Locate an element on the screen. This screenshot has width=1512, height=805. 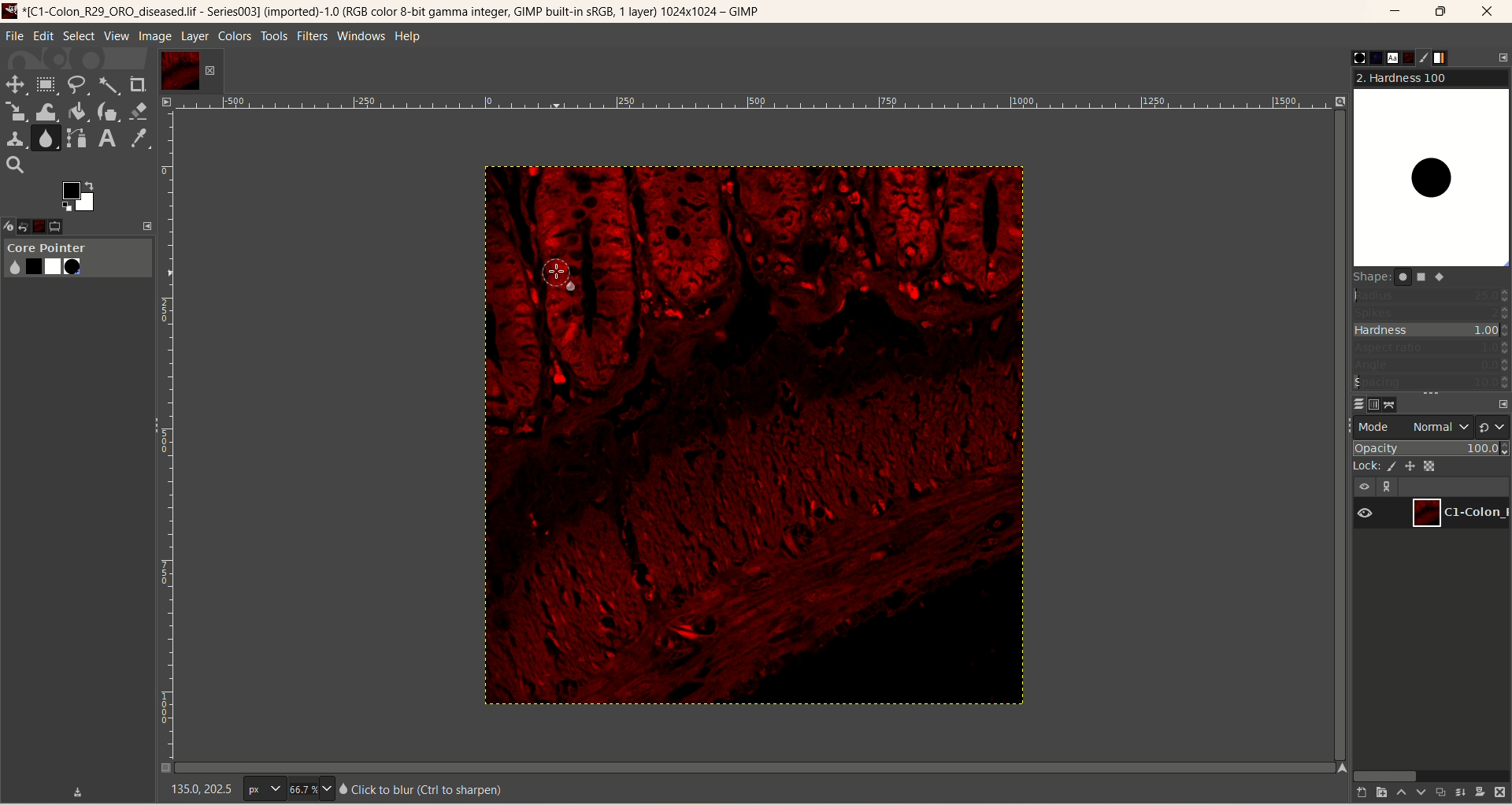
brushes is located at coordinates (1347, 57).